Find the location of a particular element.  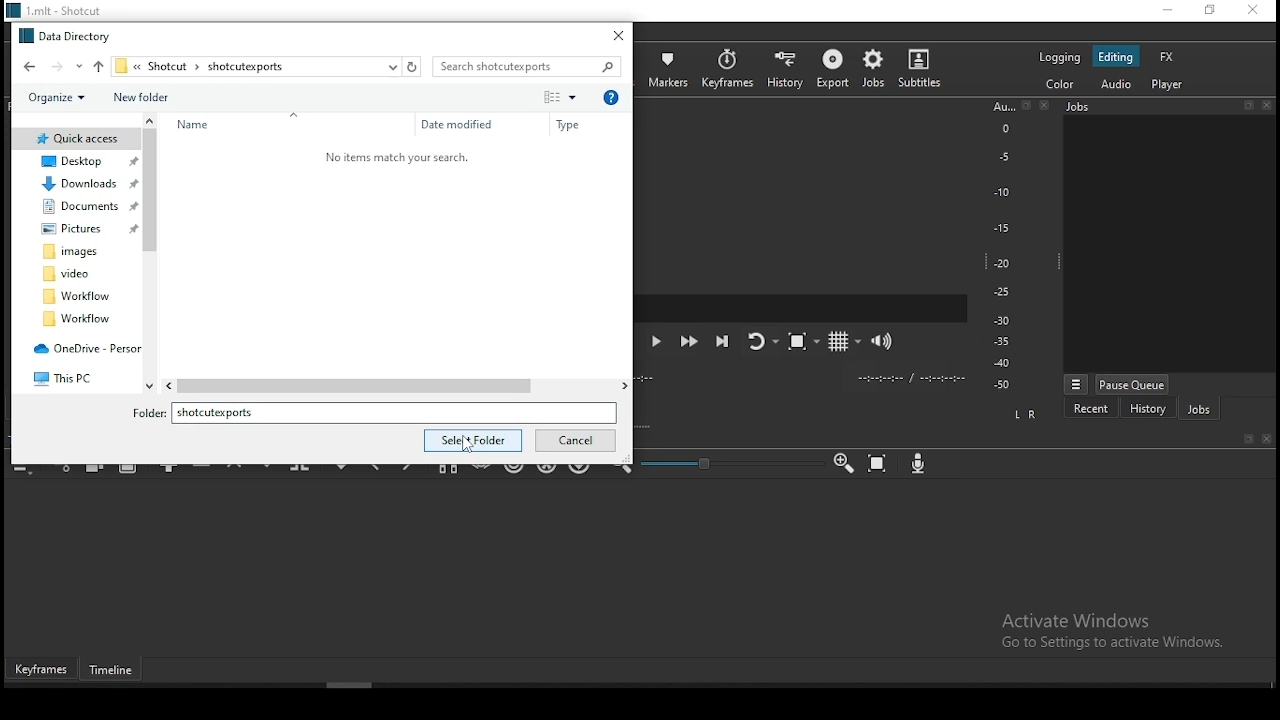

local folder is located at coordinates (70, 375).